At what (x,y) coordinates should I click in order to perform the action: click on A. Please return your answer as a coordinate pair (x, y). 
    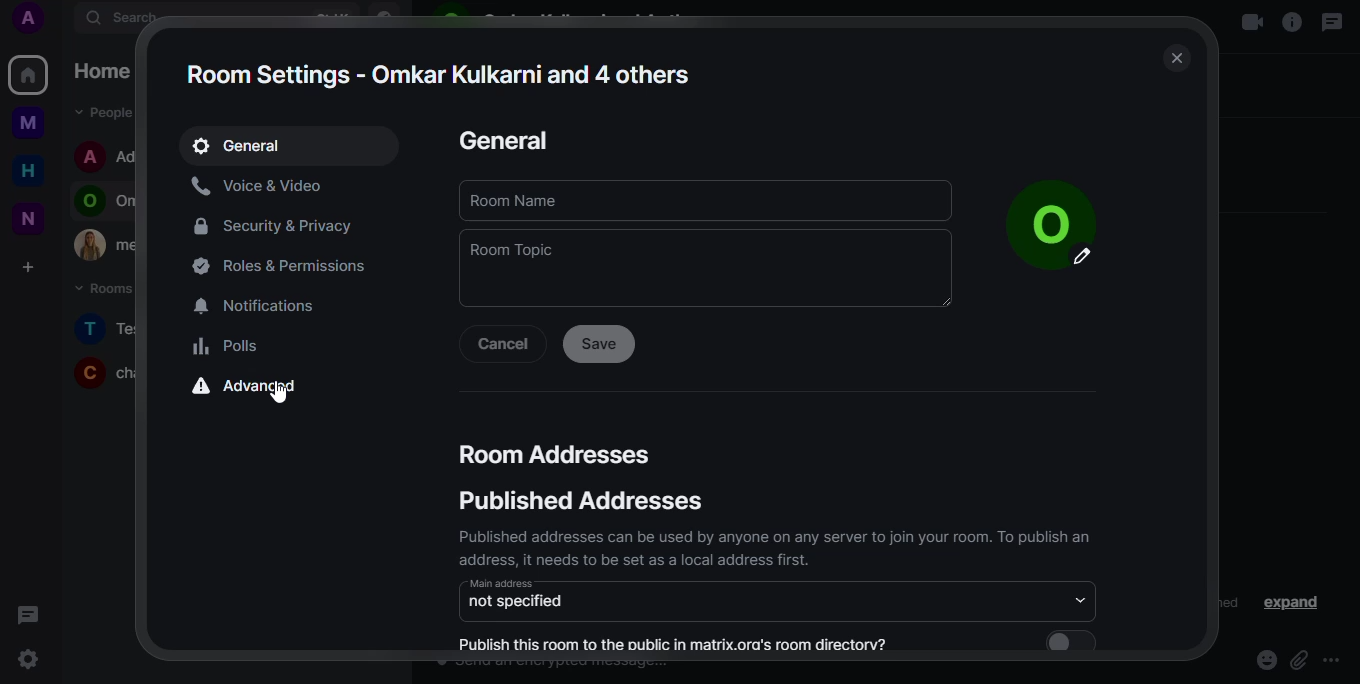
    Looking at the image, I should click on (36, 21).